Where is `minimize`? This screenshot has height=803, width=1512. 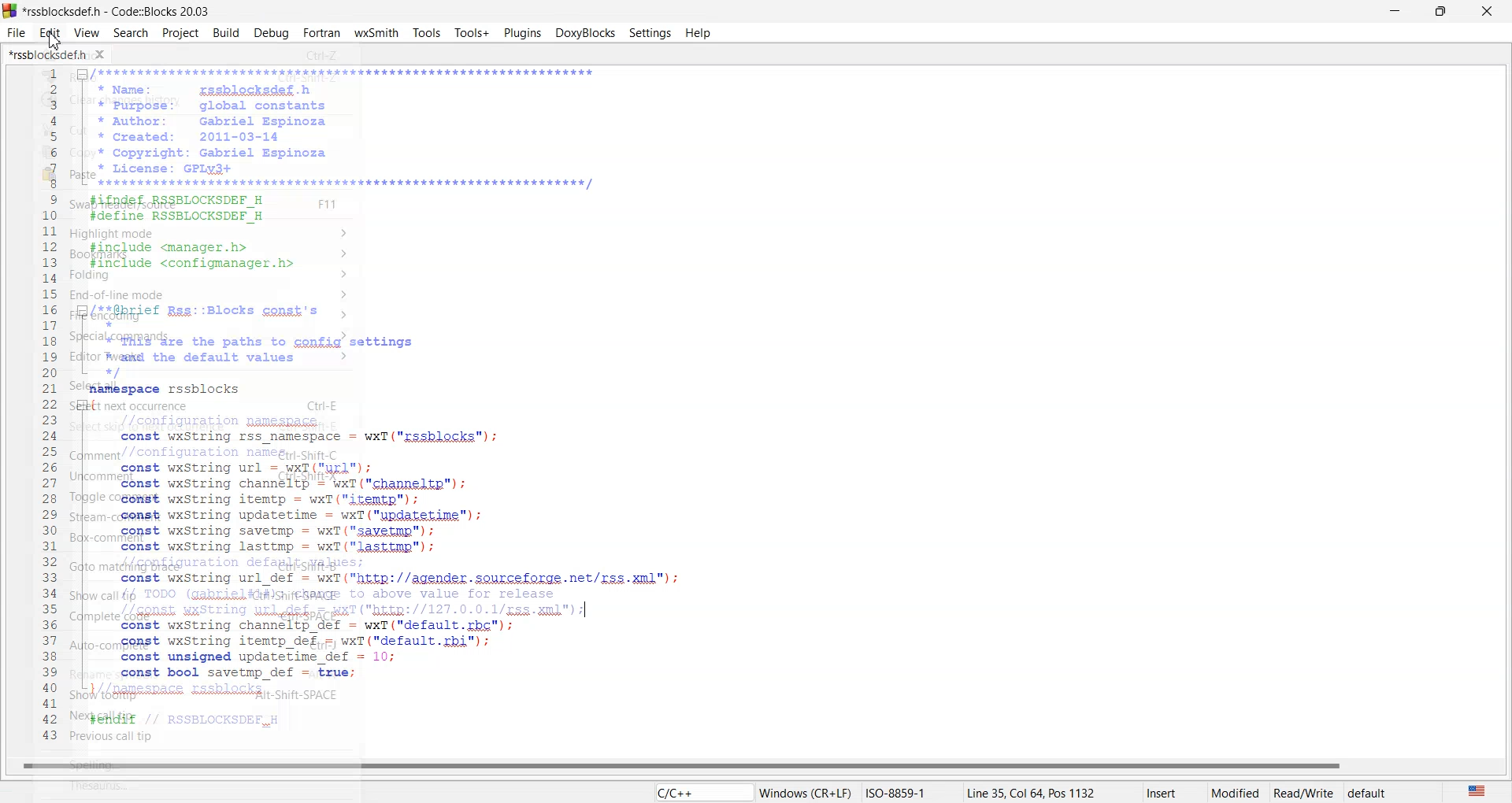
minimize is located at coordinates (86, 75).